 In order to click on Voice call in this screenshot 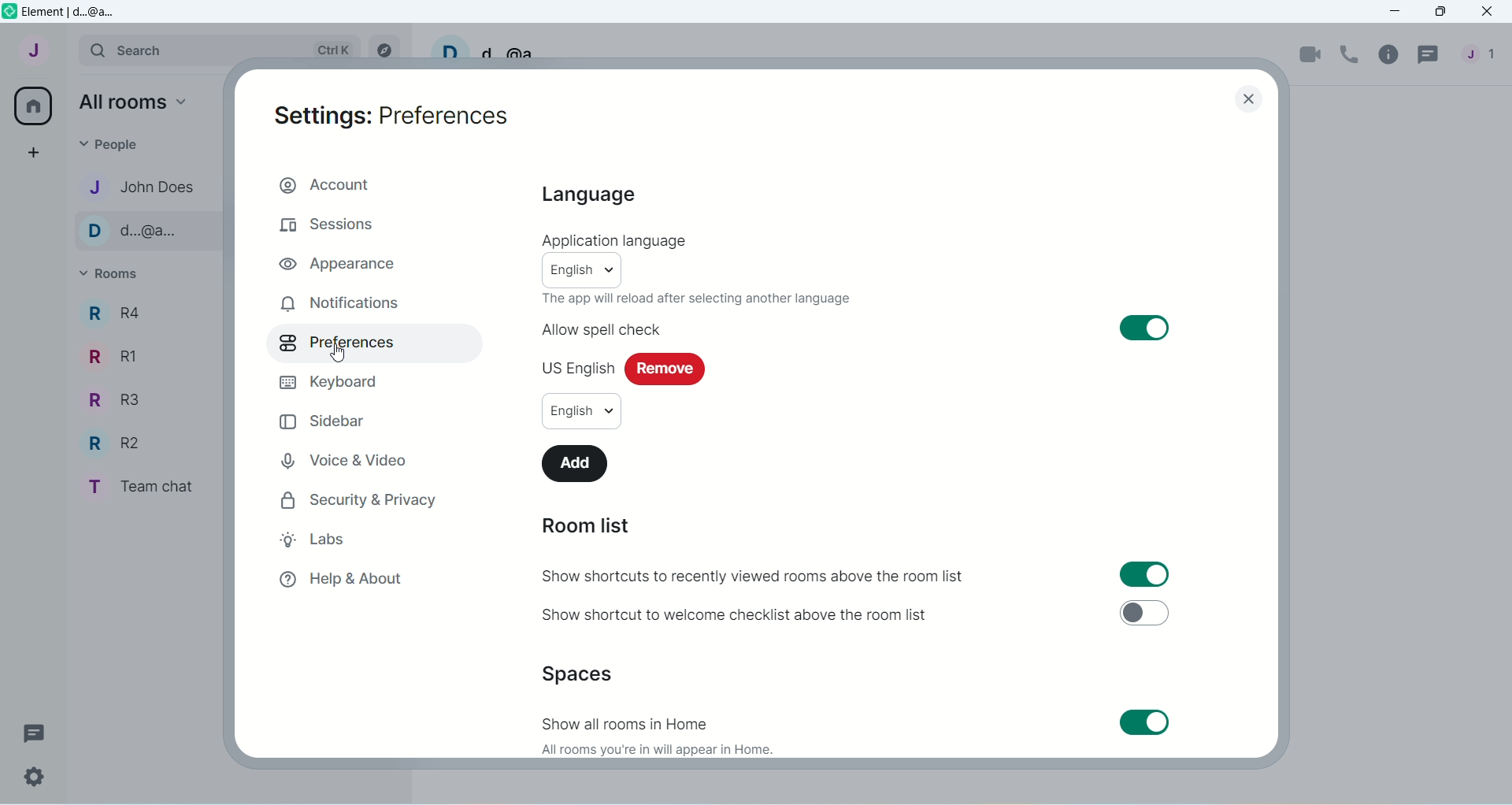, I will do `click(1350, 53)`.